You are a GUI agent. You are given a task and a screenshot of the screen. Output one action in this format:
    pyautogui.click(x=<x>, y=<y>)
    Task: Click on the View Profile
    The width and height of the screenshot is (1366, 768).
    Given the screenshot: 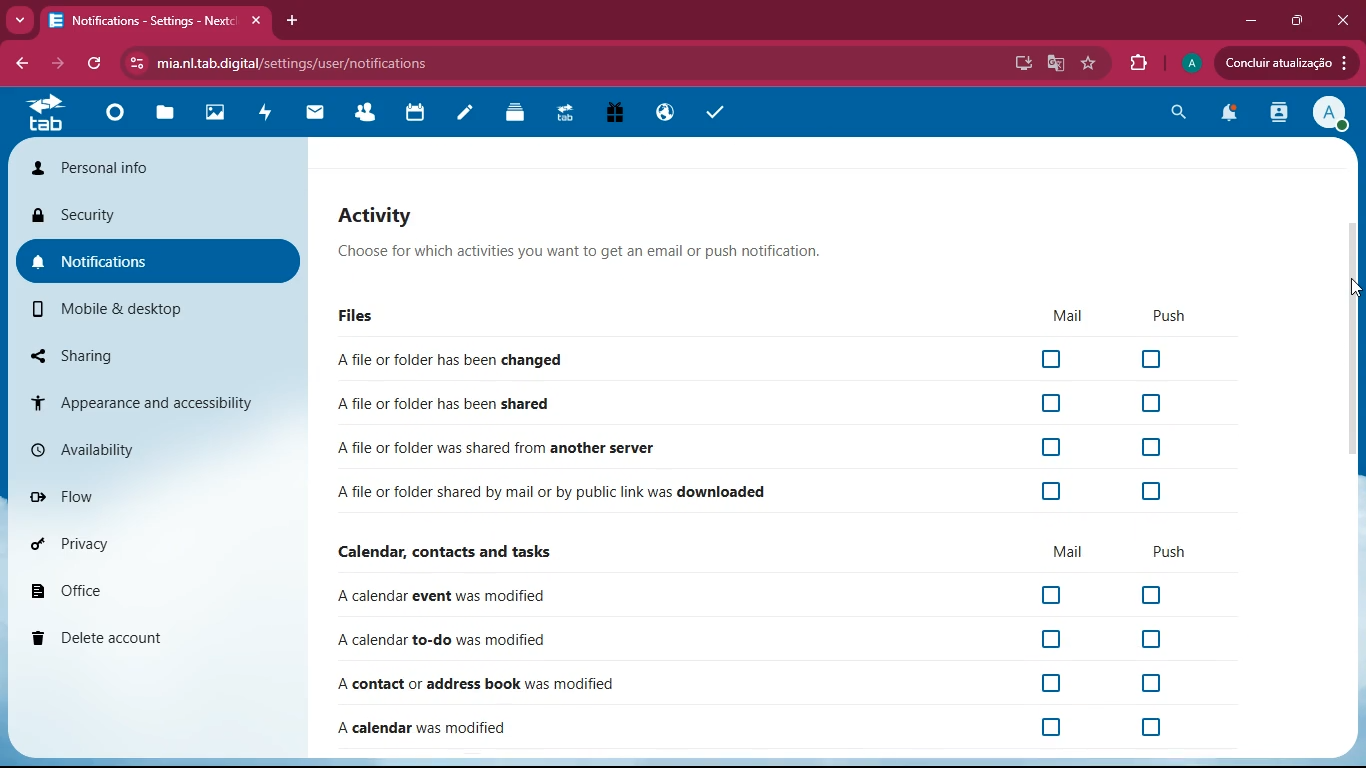 What is the action you would take?
    pyautogui.click(x=1332, y=115)
    